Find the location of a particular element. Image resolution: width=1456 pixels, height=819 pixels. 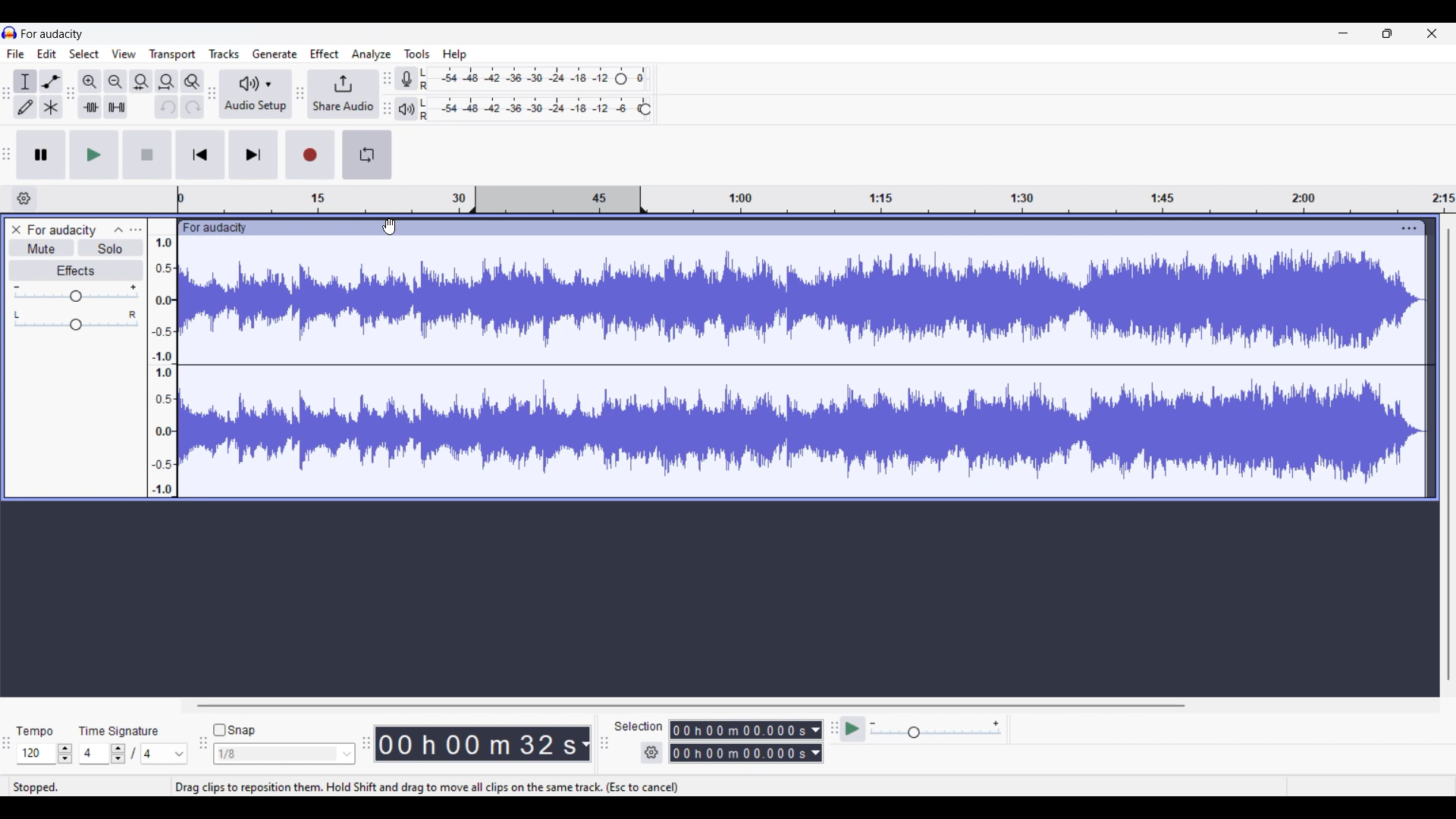

Enable looping is located at coordinates (367, 155).